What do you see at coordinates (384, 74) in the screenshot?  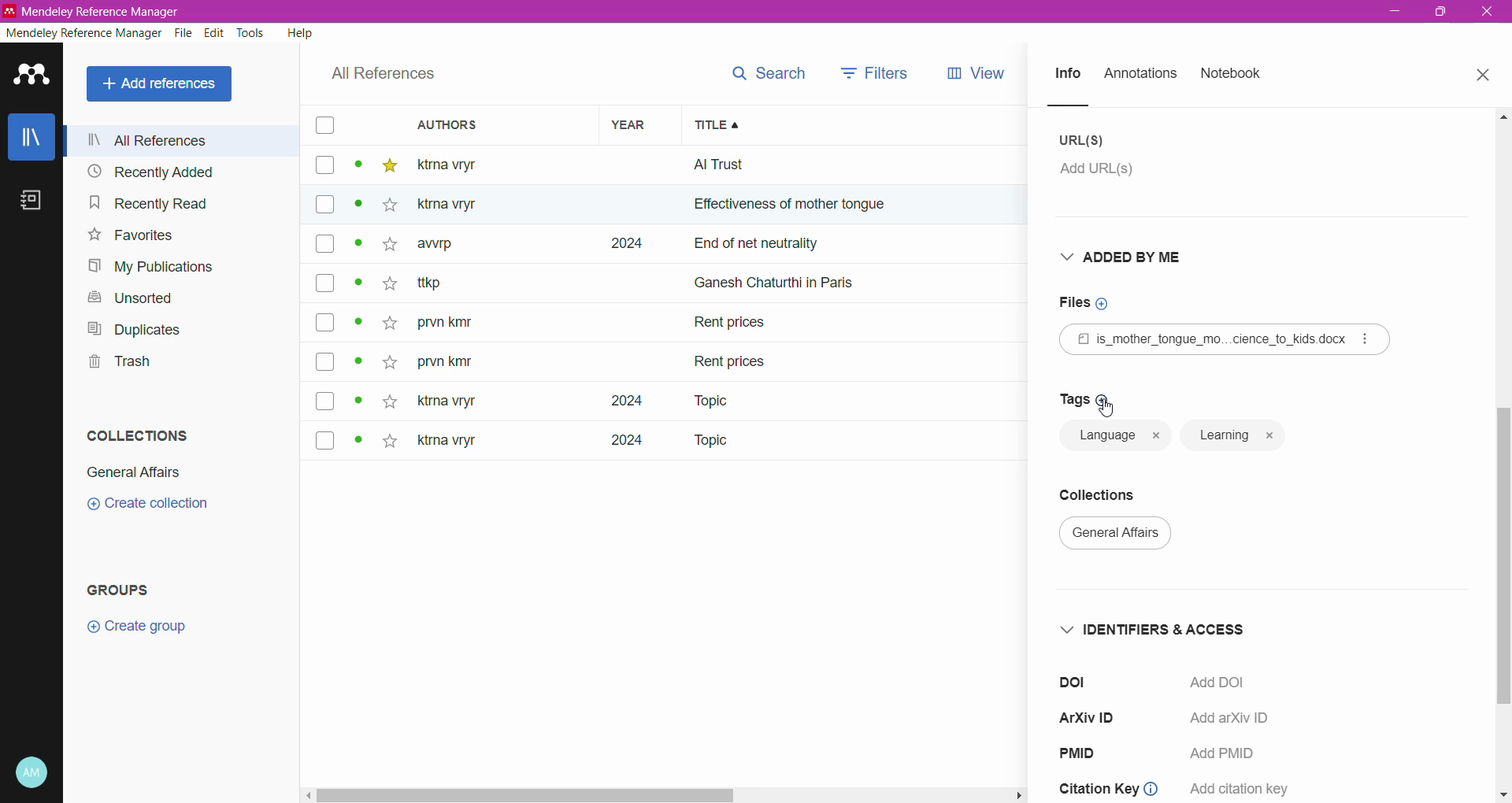 I see `All References` at bounding box center [384, 74].